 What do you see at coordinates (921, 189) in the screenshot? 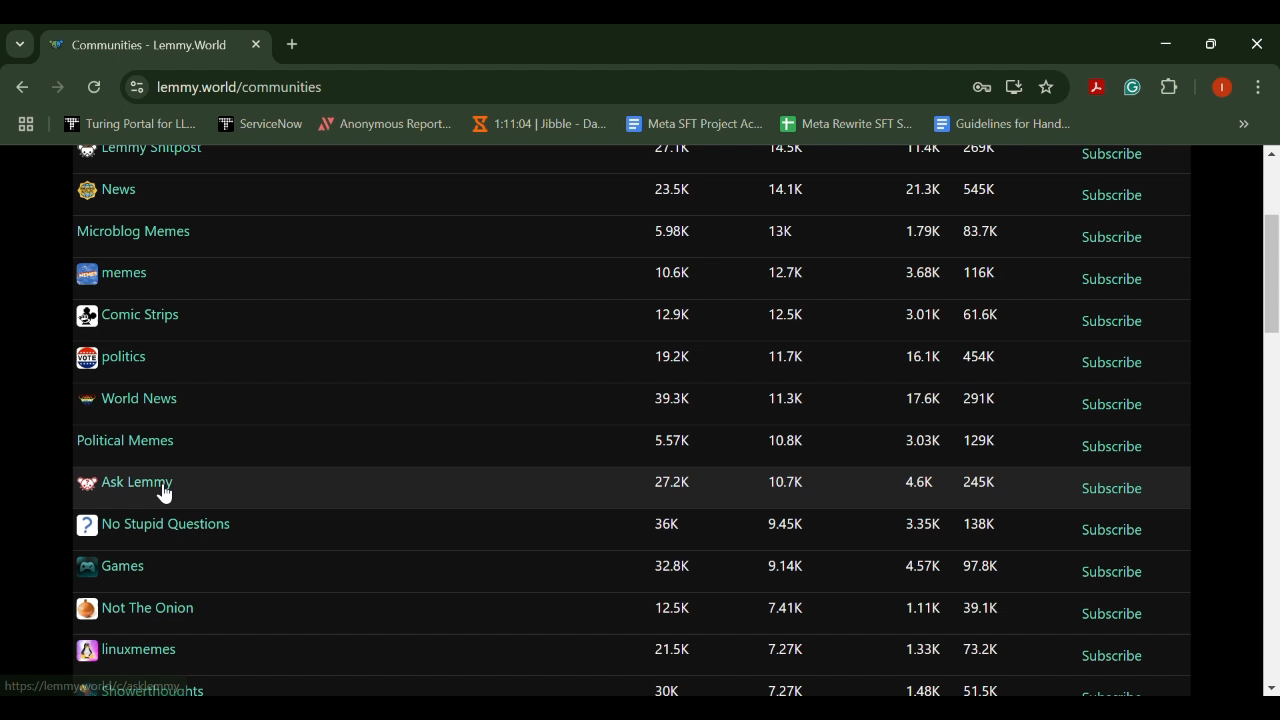
I see `21.3K` at bounding box center [921, 189].